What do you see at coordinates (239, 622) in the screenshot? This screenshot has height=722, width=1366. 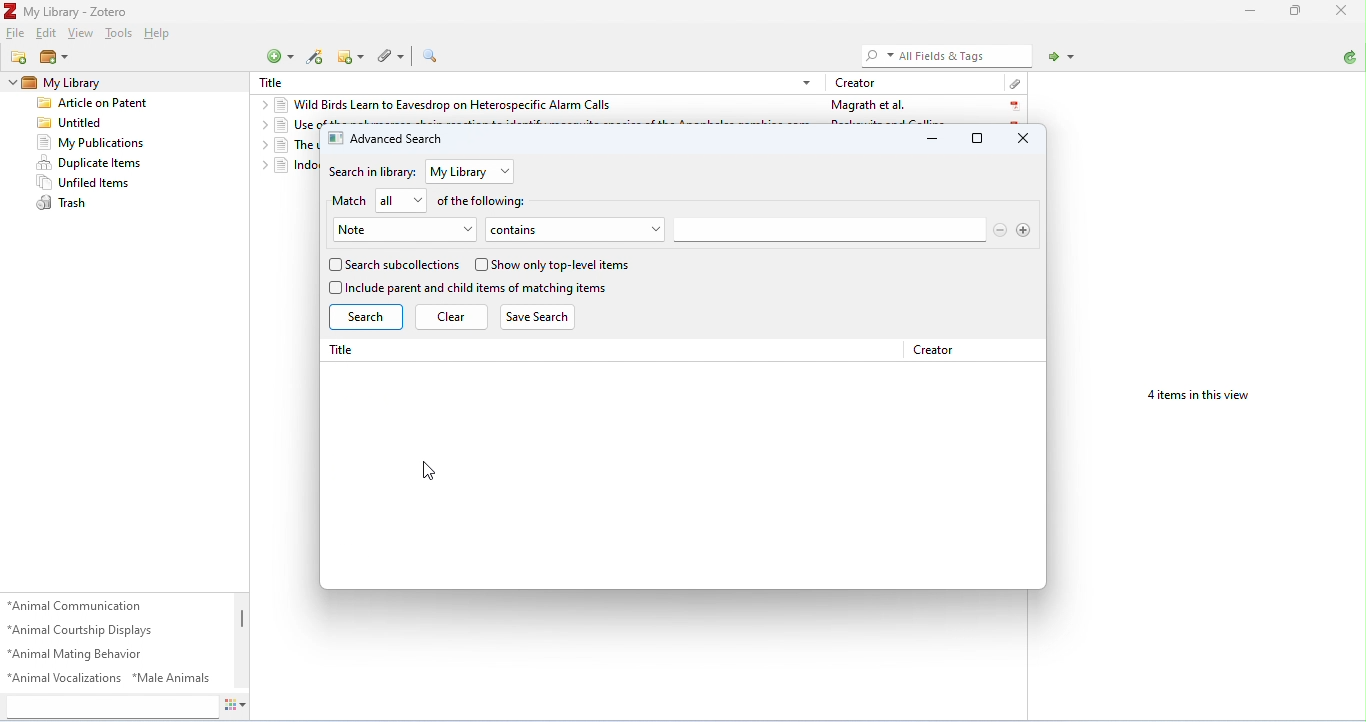 I see `vertical scroll bar` at bounding box center [239, 622].